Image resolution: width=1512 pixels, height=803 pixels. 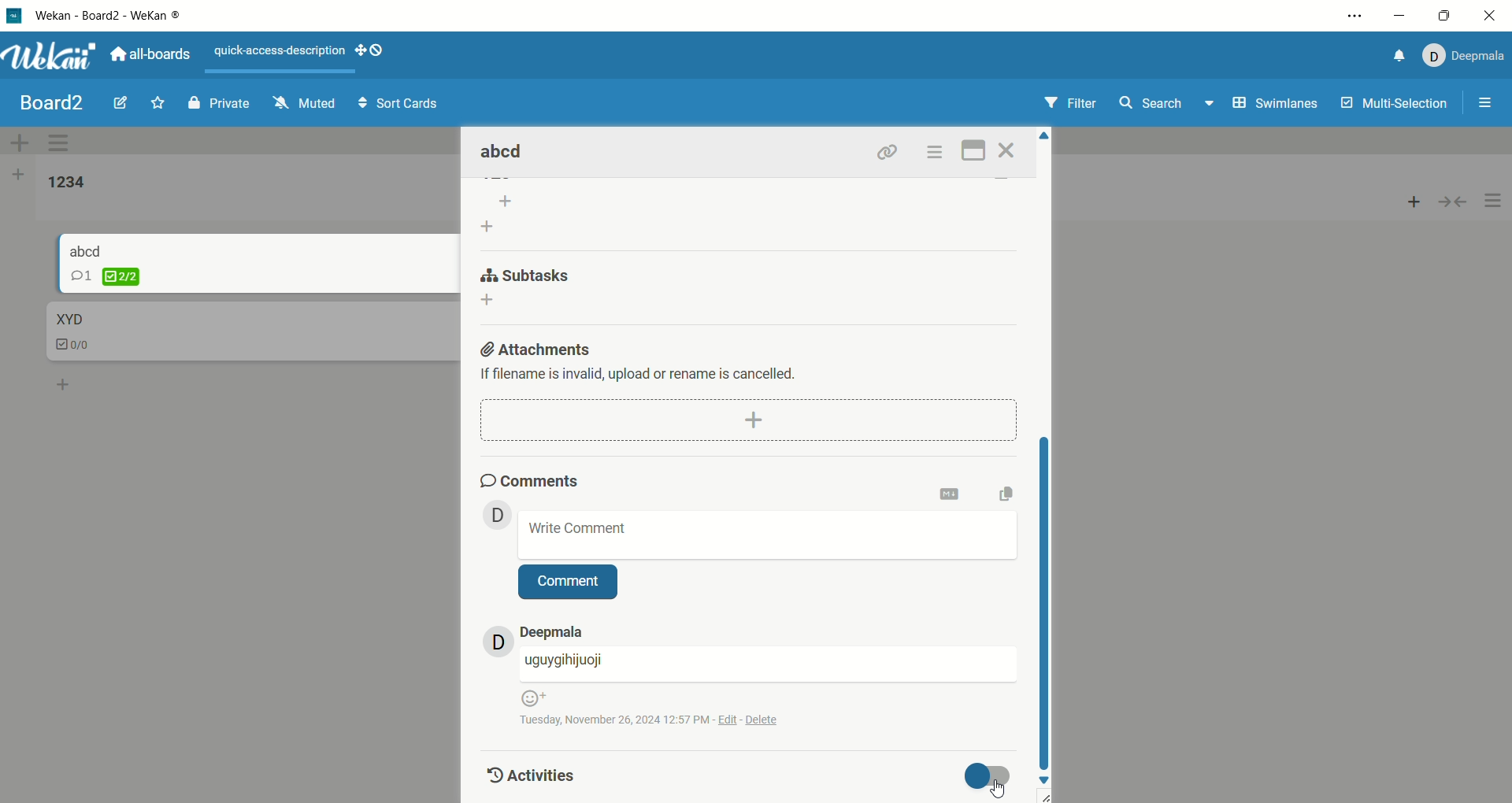 I want to click on username, so click(x=768, y=664).